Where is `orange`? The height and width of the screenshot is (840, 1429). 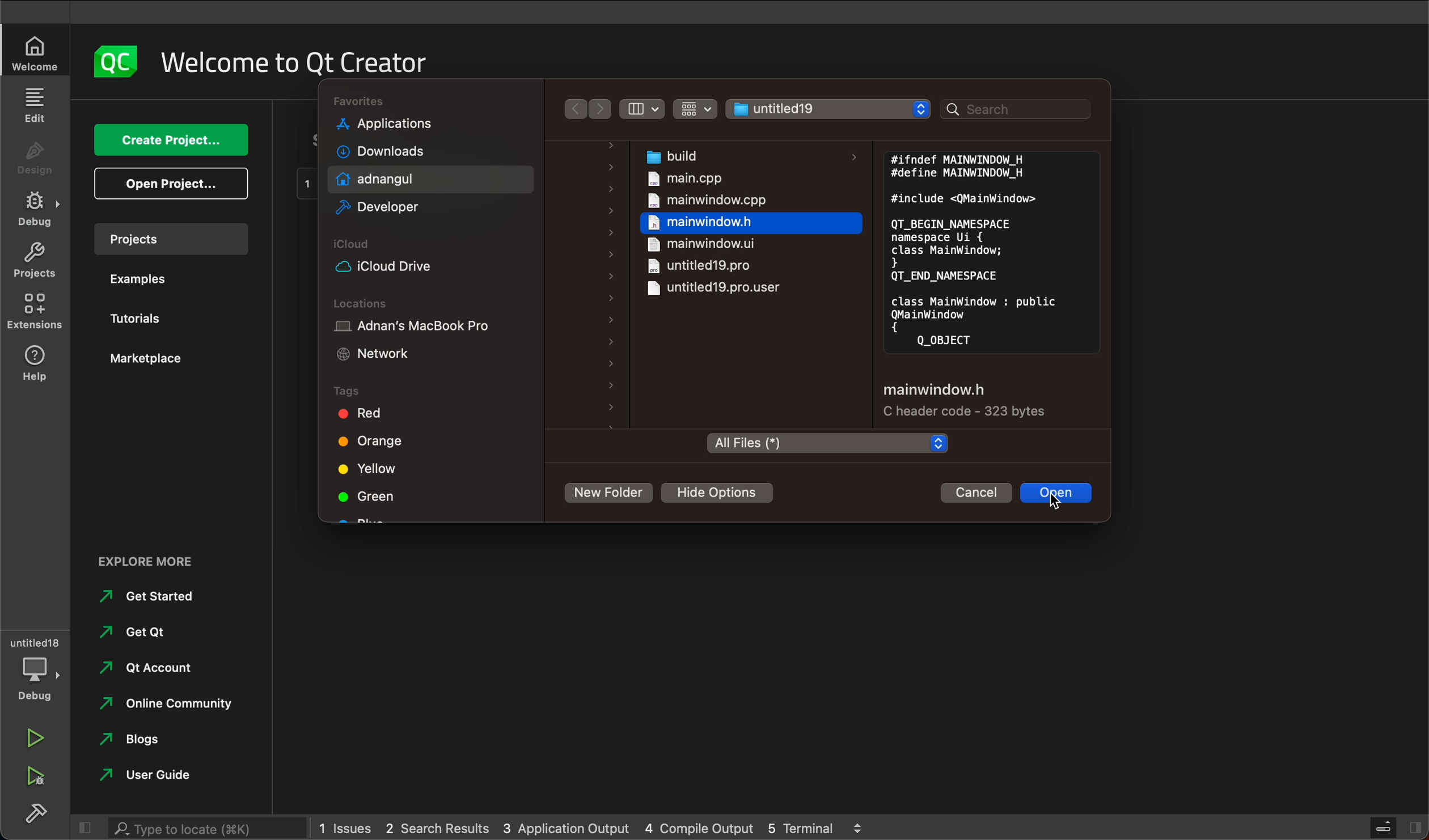 orange is located at coordinates (374, 442).